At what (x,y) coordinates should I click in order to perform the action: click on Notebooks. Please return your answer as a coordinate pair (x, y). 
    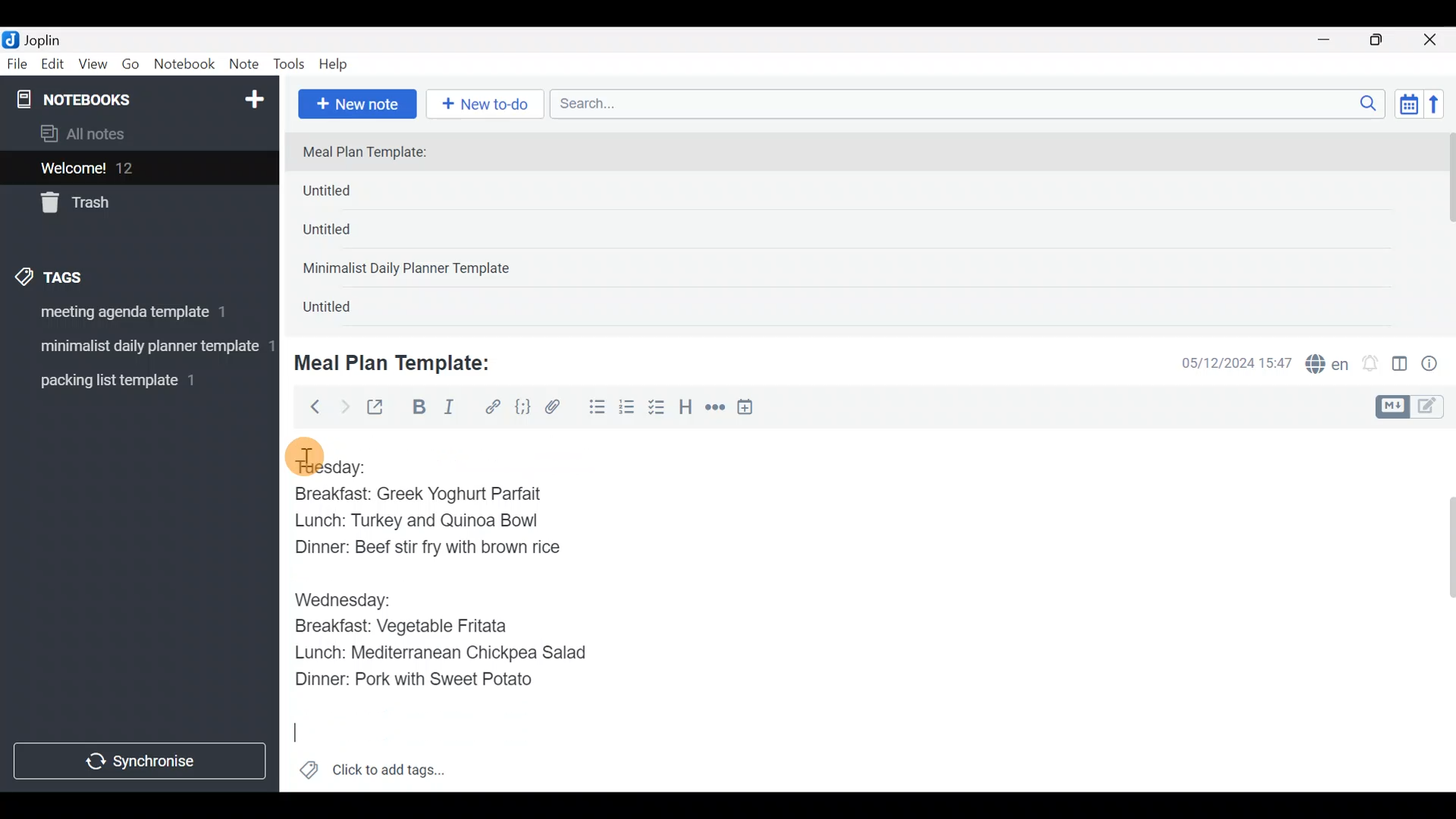
    Looking at the image, I should click on (107, 99).